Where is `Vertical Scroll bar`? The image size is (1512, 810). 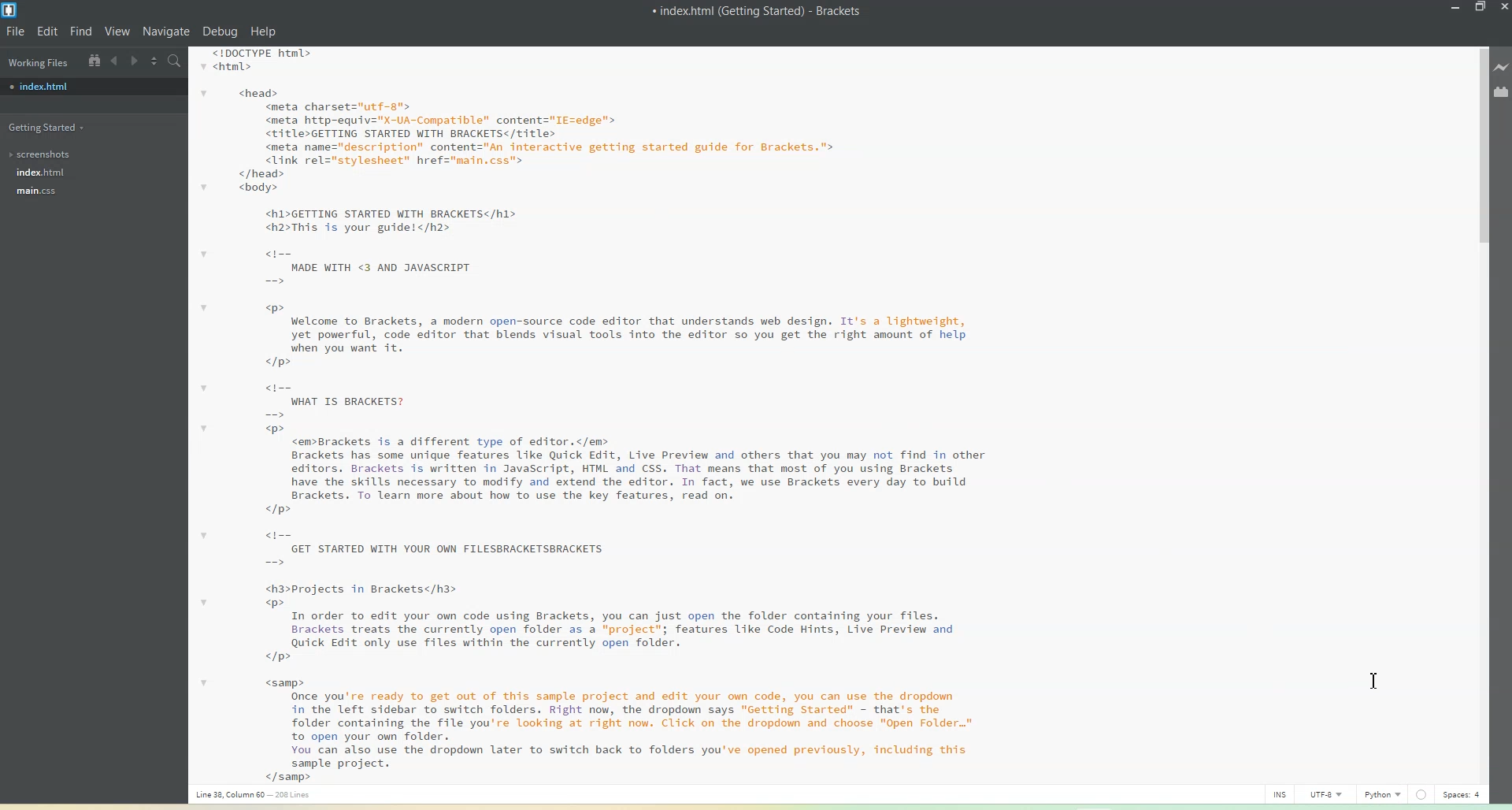 Vertical Scroll bar is located at coordinates (1478, 409).